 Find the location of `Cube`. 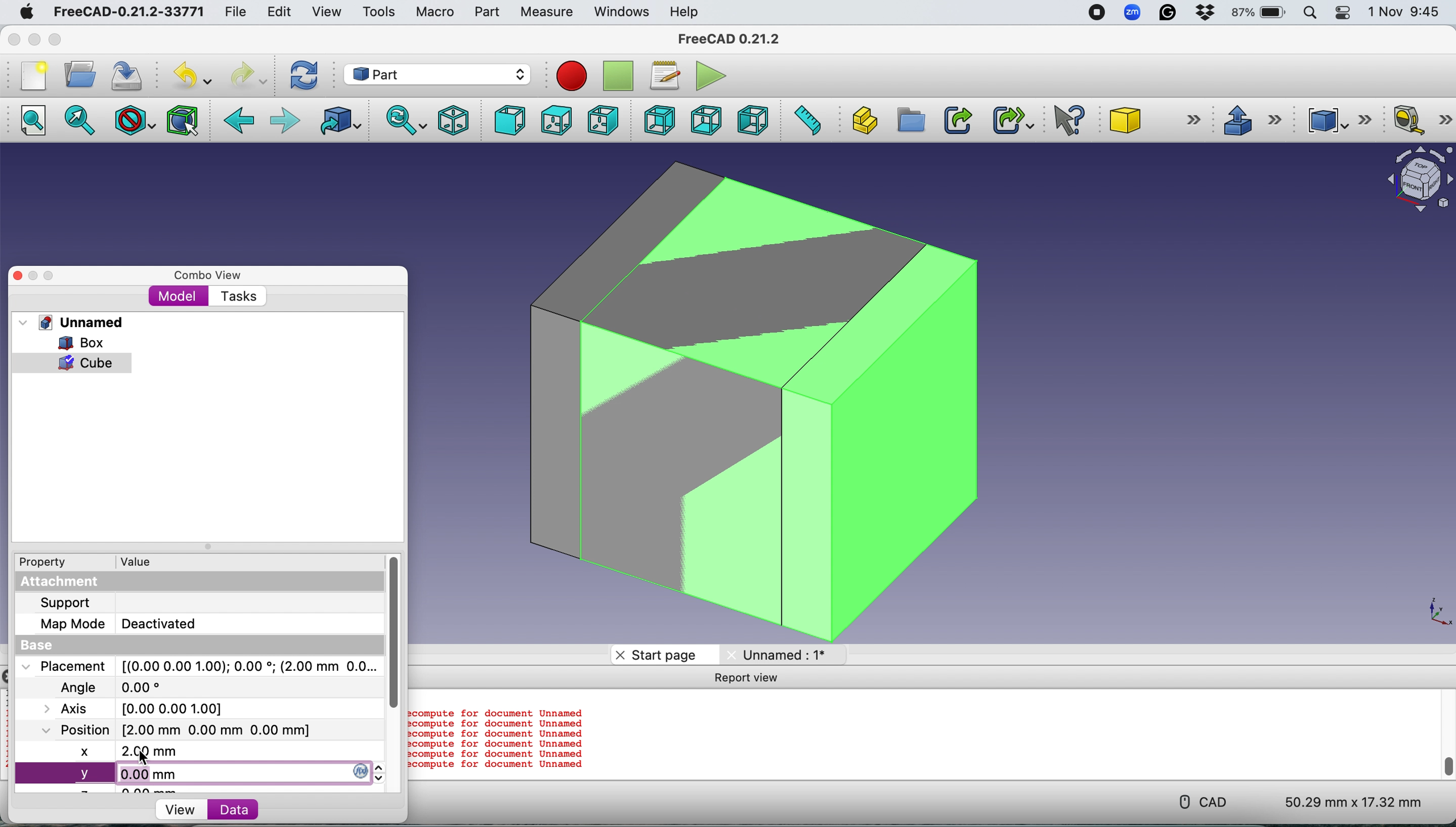

Cube is located at coordinates (1151, 120).